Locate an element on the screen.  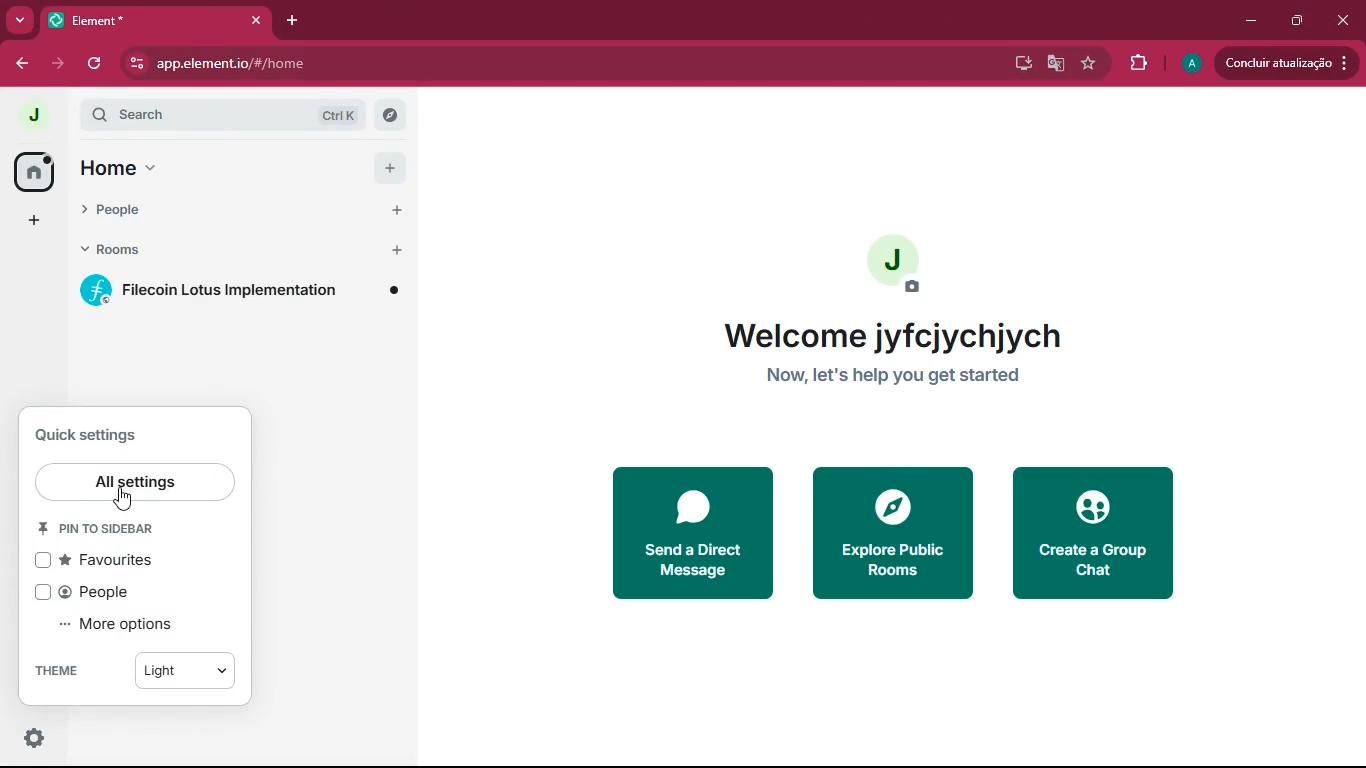
theme is located at coordinates (61, 668).